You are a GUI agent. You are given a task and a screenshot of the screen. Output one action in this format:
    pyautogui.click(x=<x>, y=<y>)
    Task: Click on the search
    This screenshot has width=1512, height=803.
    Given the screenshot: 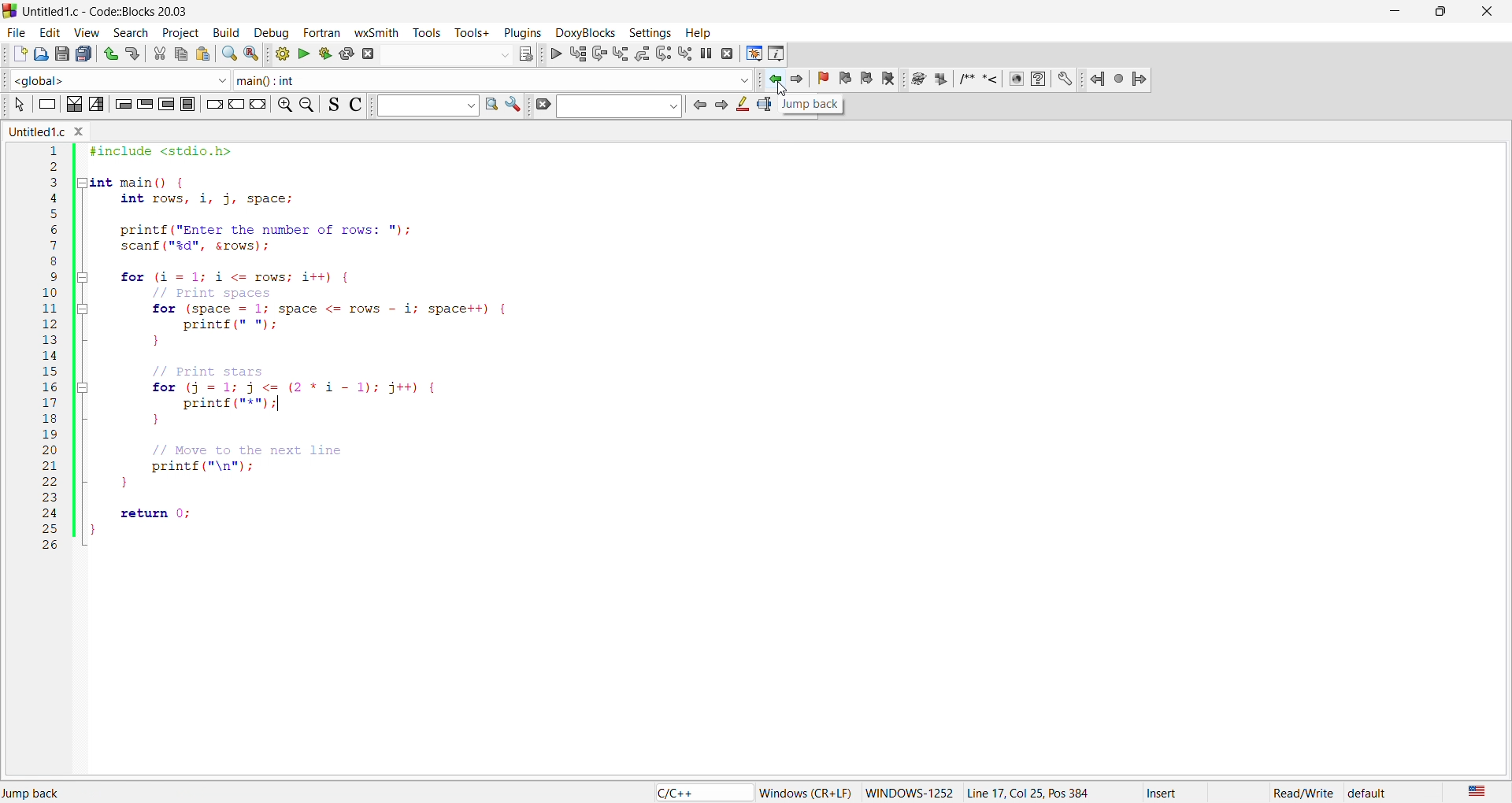 What is the action you would take?
    pyautogui.click(x=226, y=56)
    